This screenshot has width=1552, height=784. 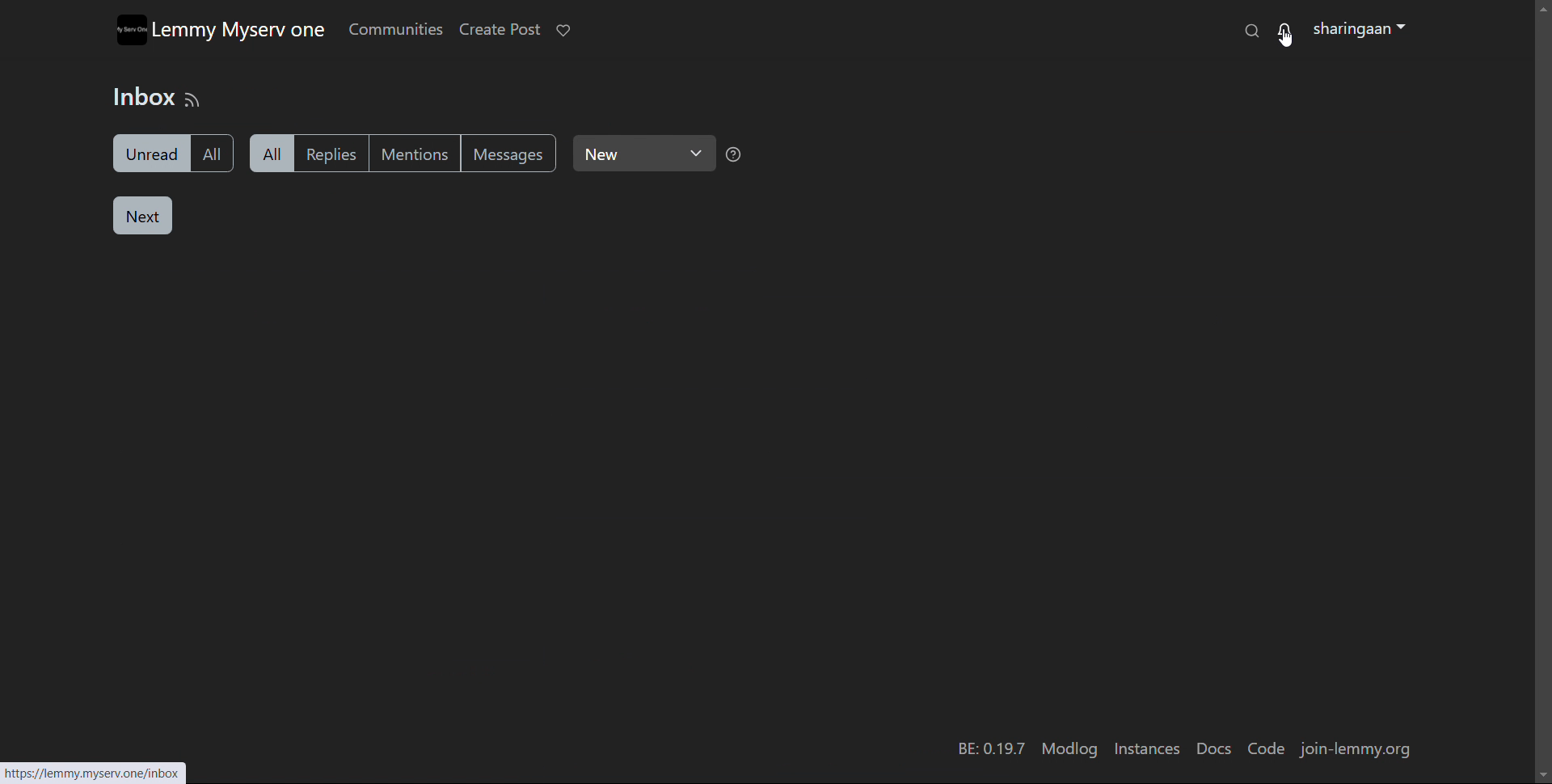 I want to click on version, so click(x=989, y=748).